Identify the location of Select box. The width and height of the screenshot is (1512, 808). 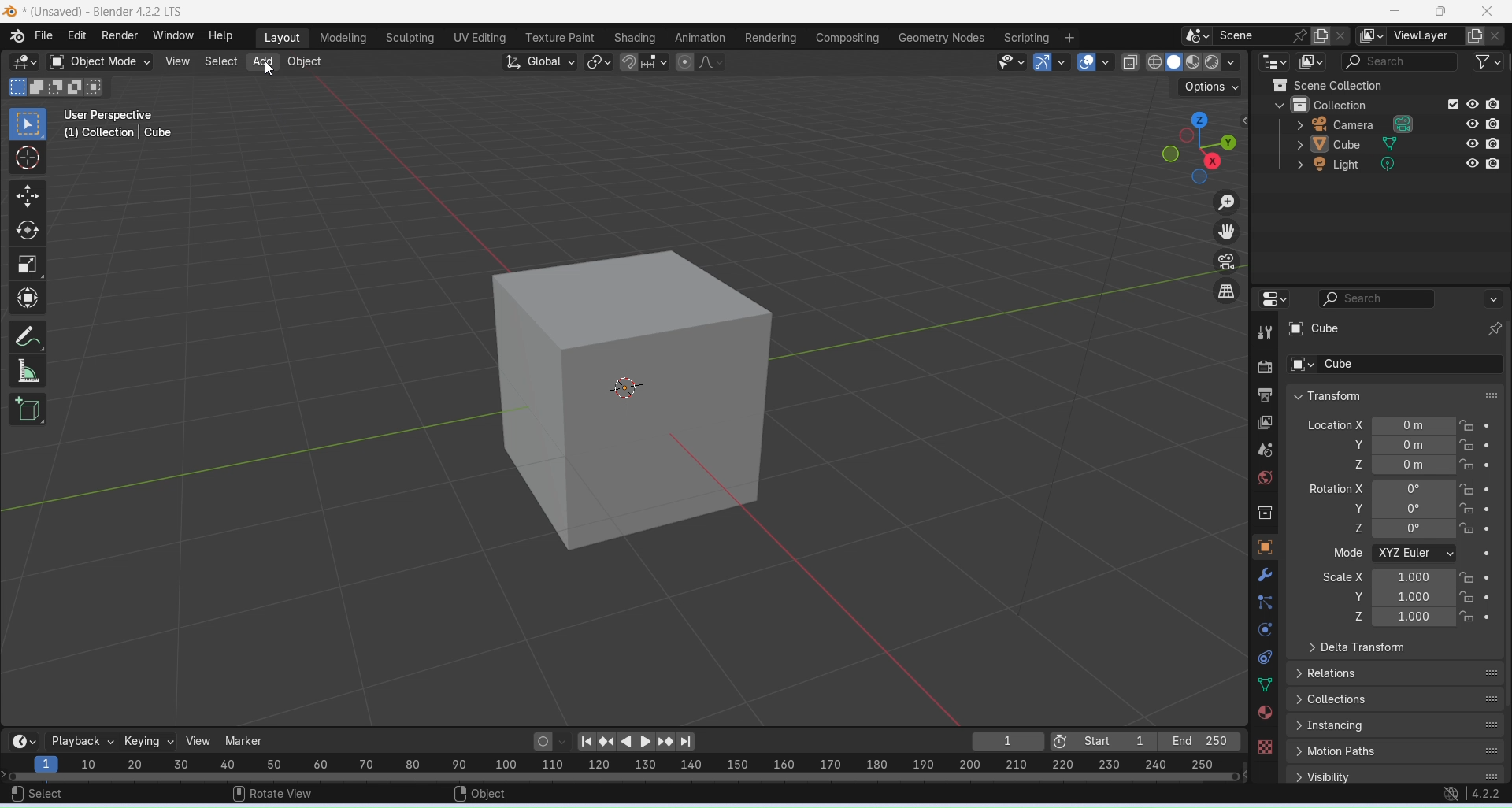
(28, 124).